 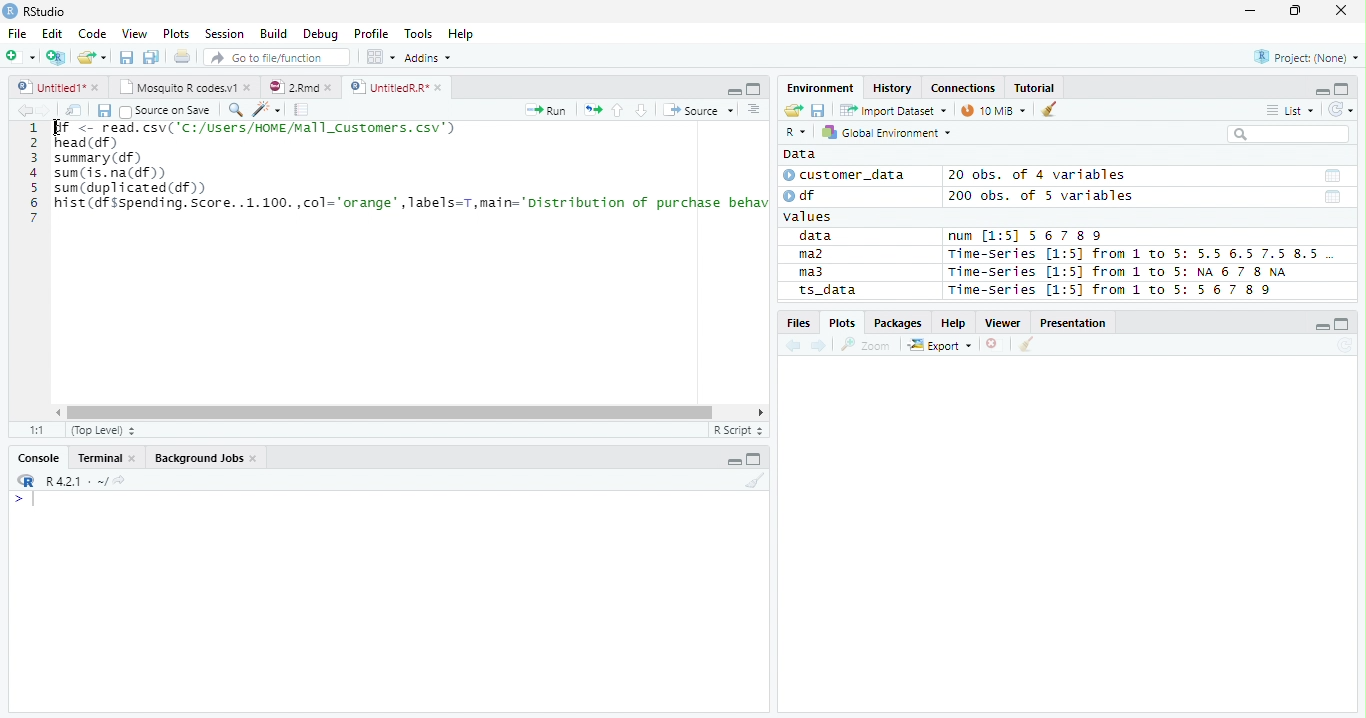 What do you see at coordinates (995, 345) in the screenshot?
I see `Delete` at bounding box center [995, 345].